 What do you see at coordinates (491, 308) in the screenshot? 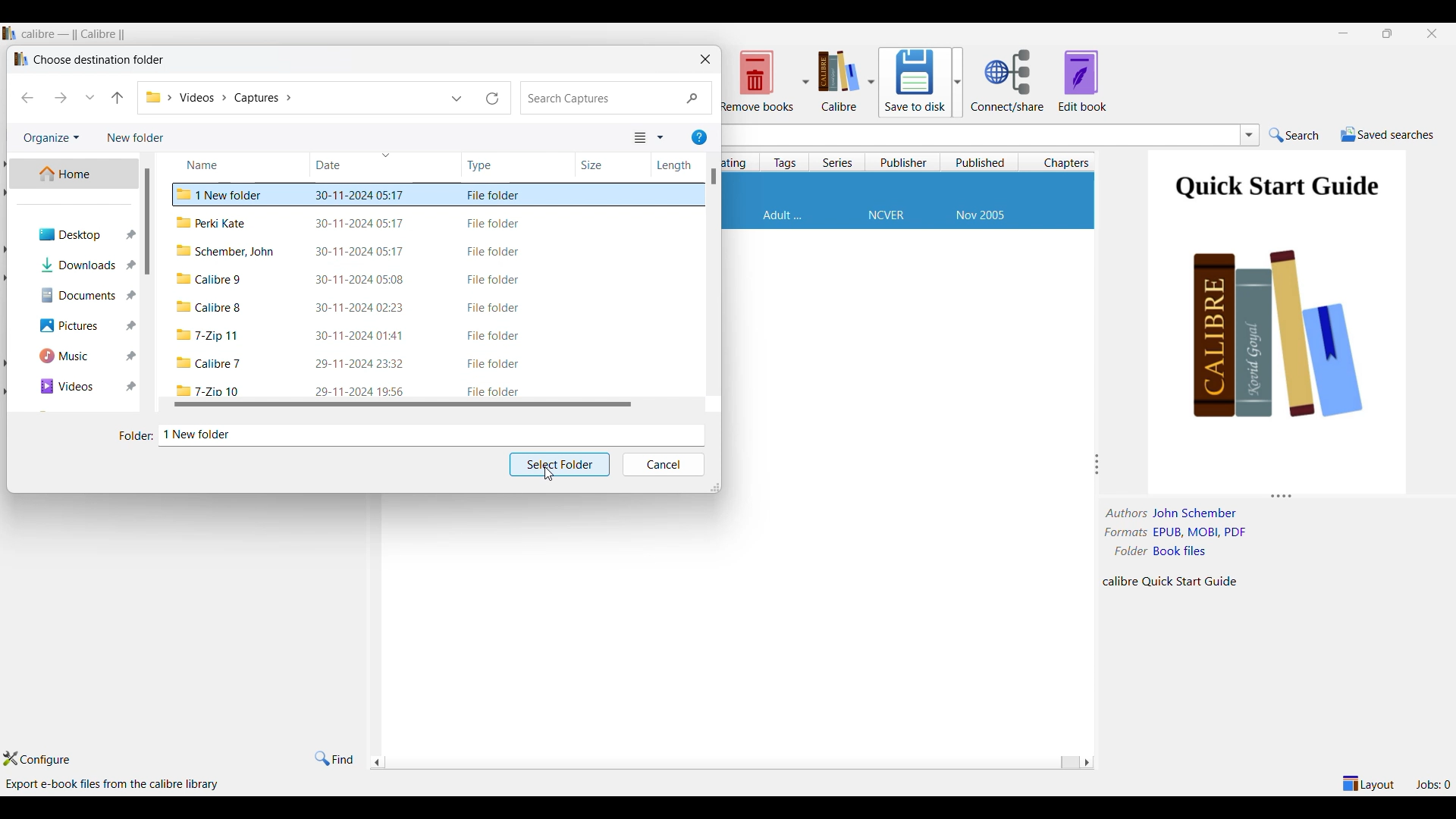
I see `file folder` at bounding box center [491, 308].